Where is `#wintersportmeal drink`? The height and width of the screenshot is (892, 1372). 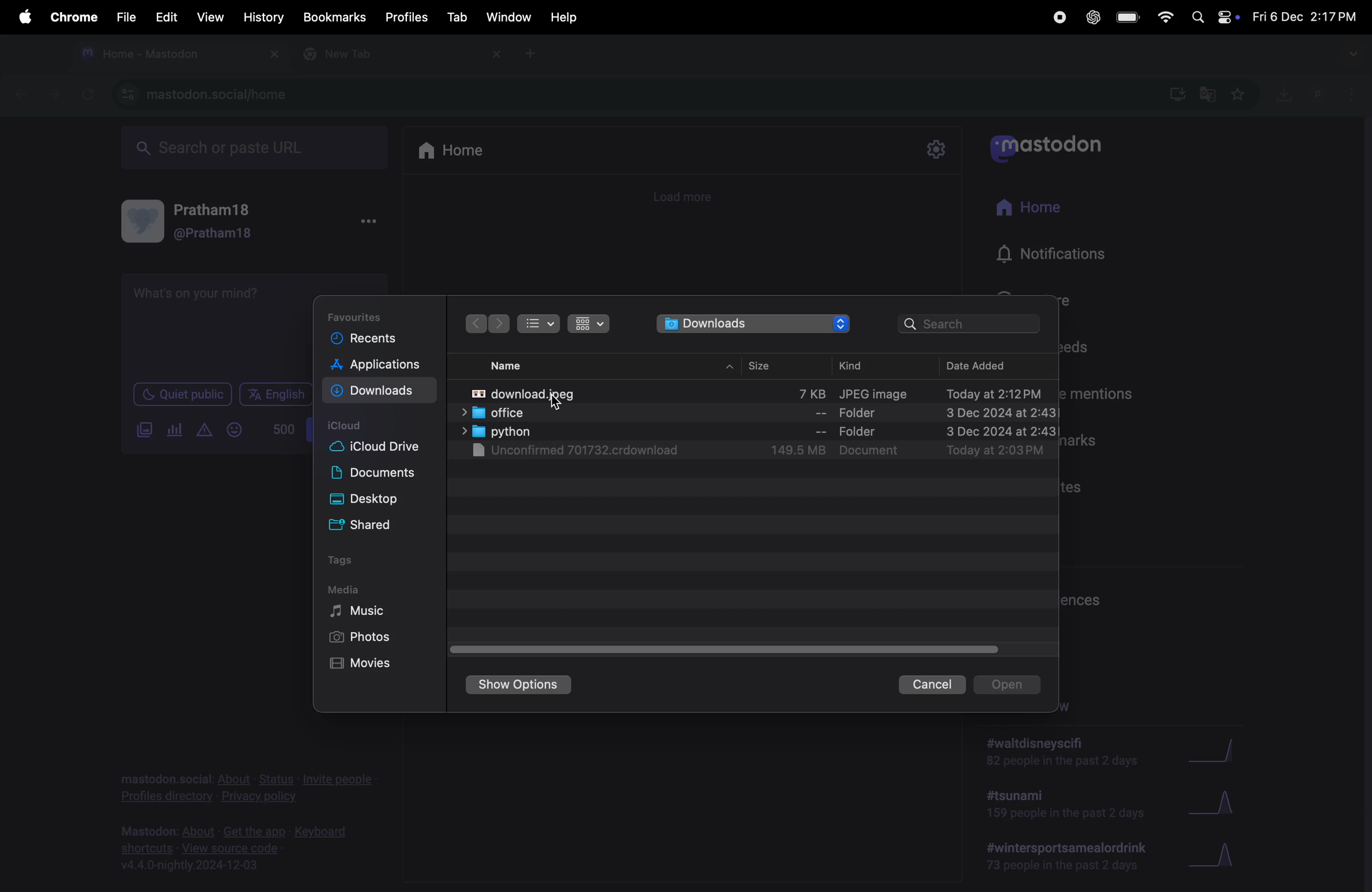 #wintersportmeal drink is located at coordinates (1071, 857).